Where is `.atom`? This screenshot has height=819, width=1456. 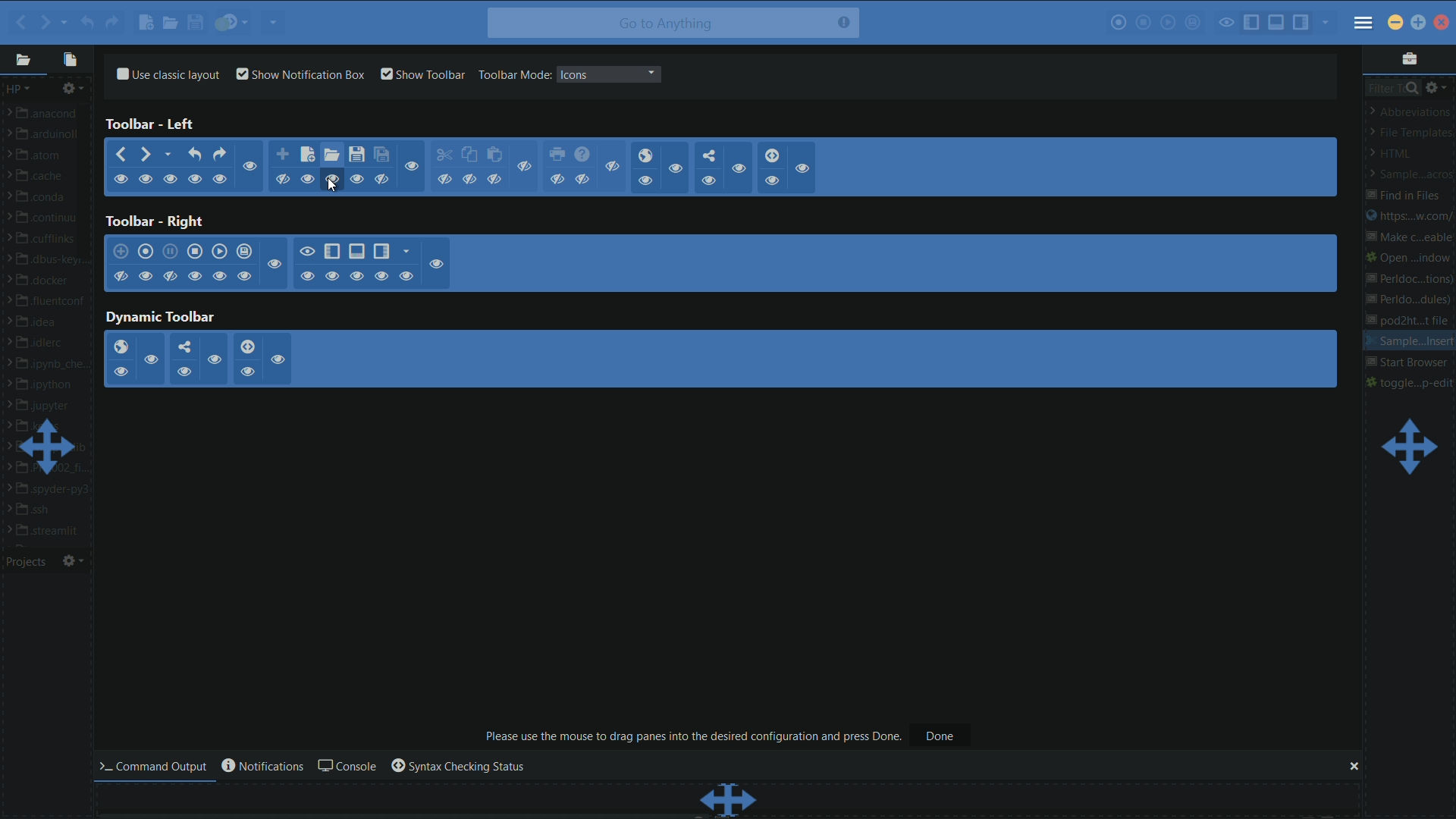
.atom is located at coordinates (42, 157).